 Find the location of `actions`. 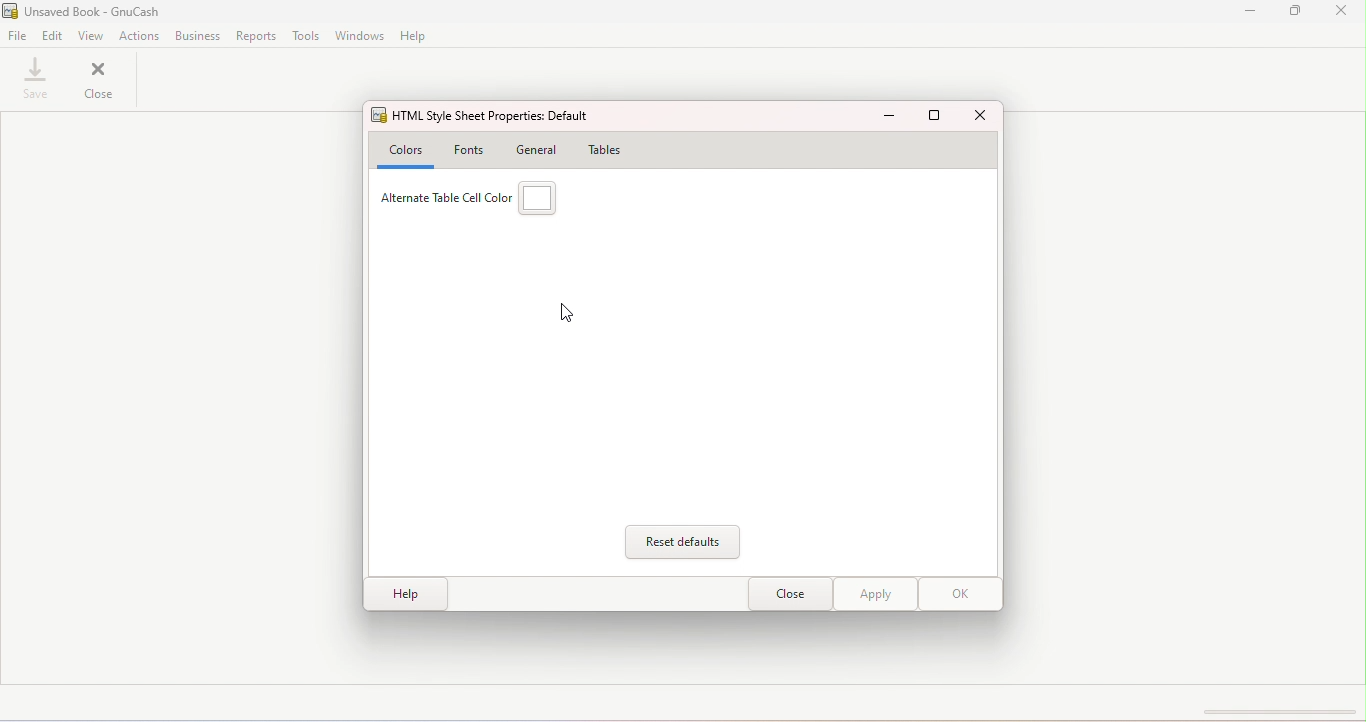

actions is located at coordinates (138, 37).